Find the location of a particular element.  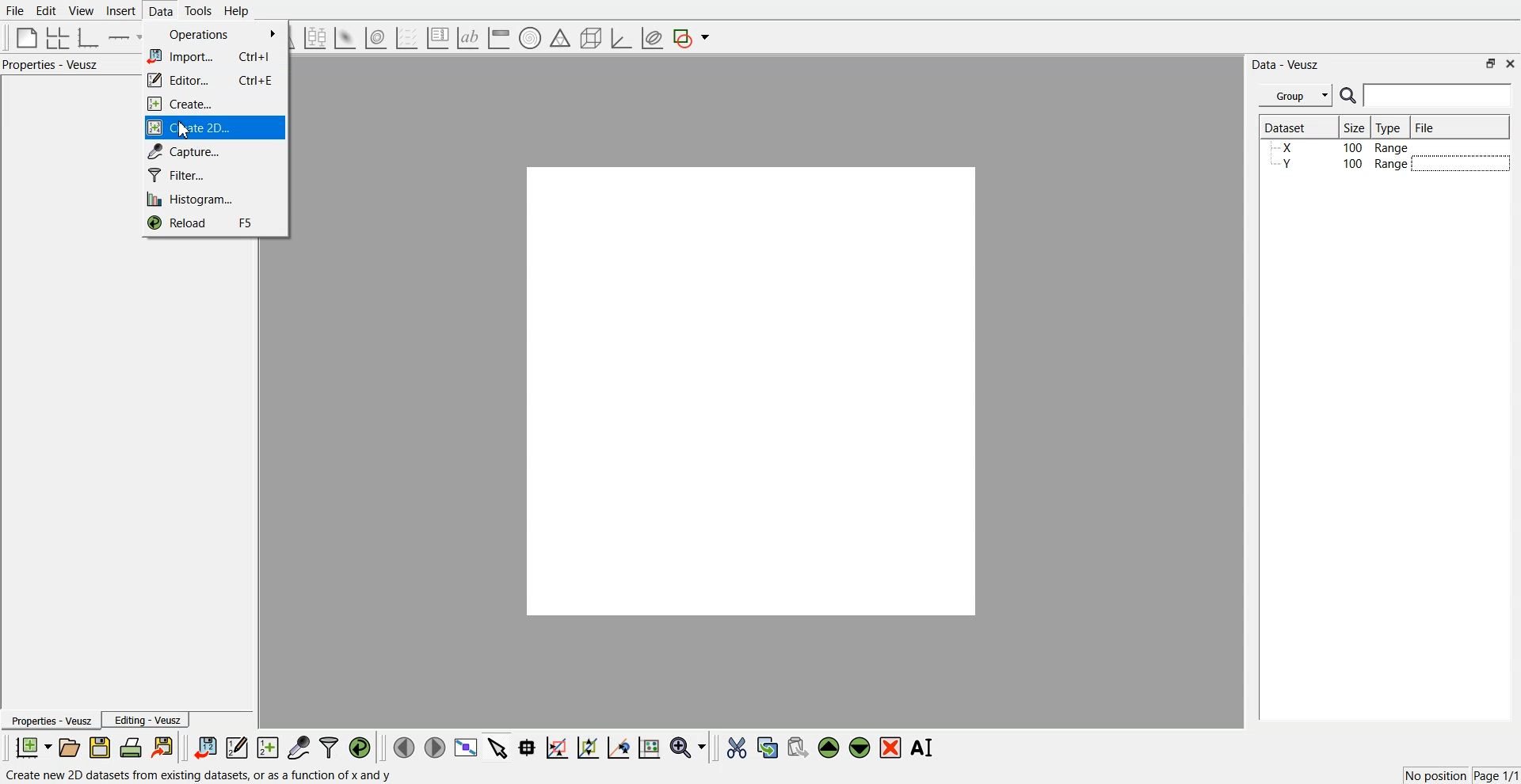

Preview window is located at coordinates (752, 390).